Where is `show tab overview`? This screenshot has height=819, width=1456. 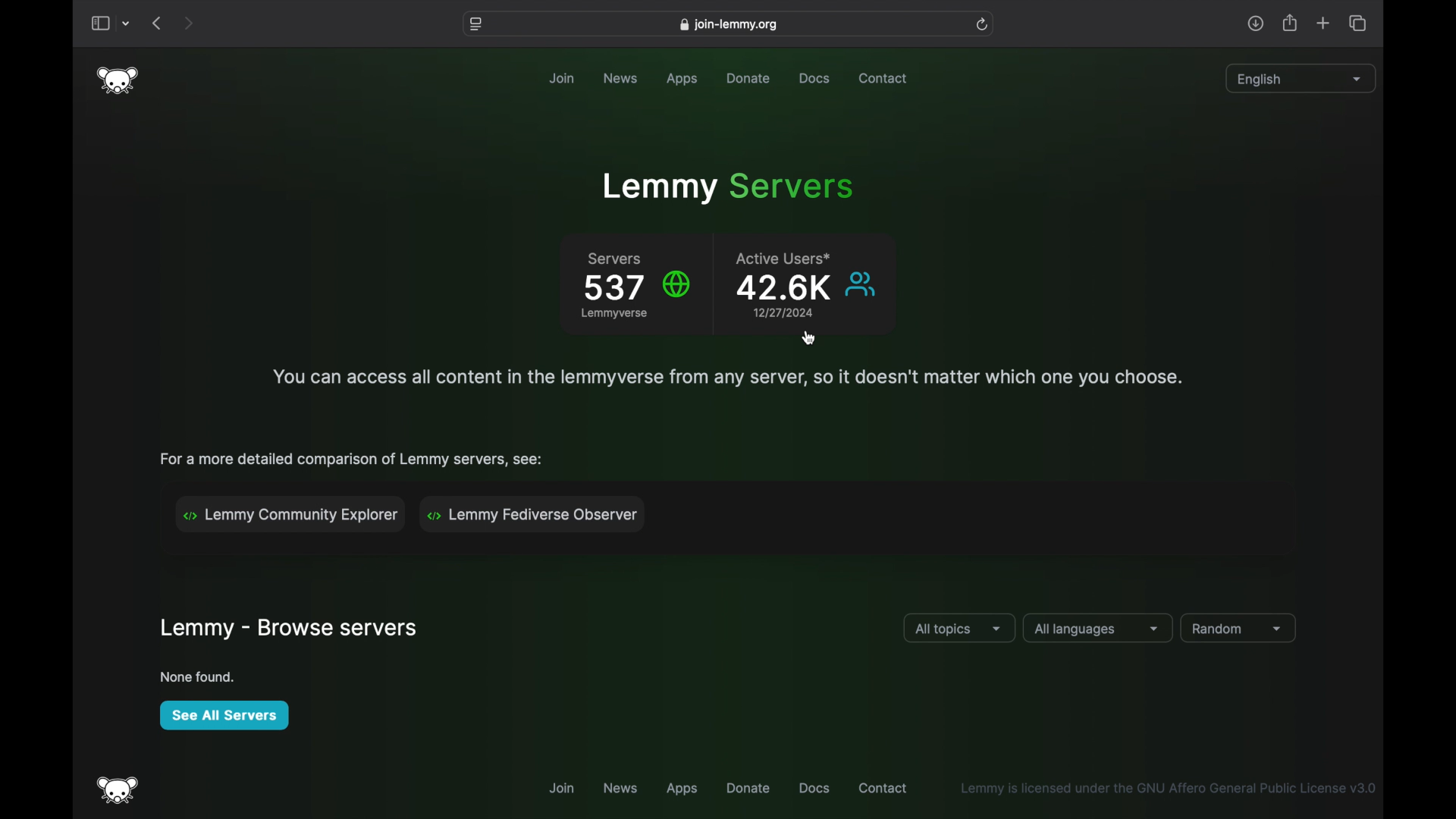
show tab overview is located at coordinates (1359, 23).